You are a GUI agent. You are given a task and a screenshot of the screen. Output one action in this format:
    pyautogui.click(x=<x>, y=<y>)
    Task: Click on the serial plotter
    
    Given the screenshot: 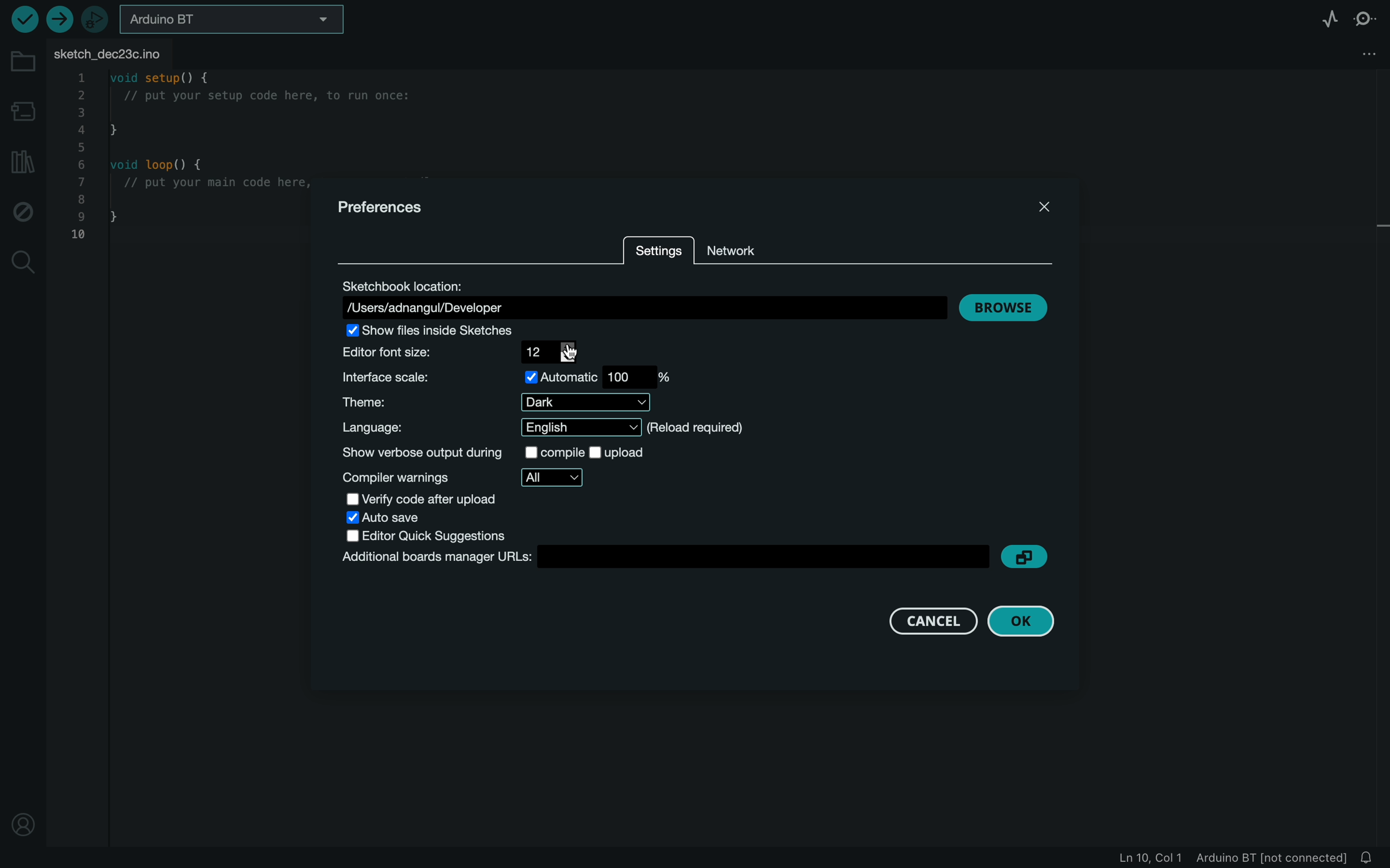 What is the action you would take?
    pyautogui.click(x=1323, y=16)
    